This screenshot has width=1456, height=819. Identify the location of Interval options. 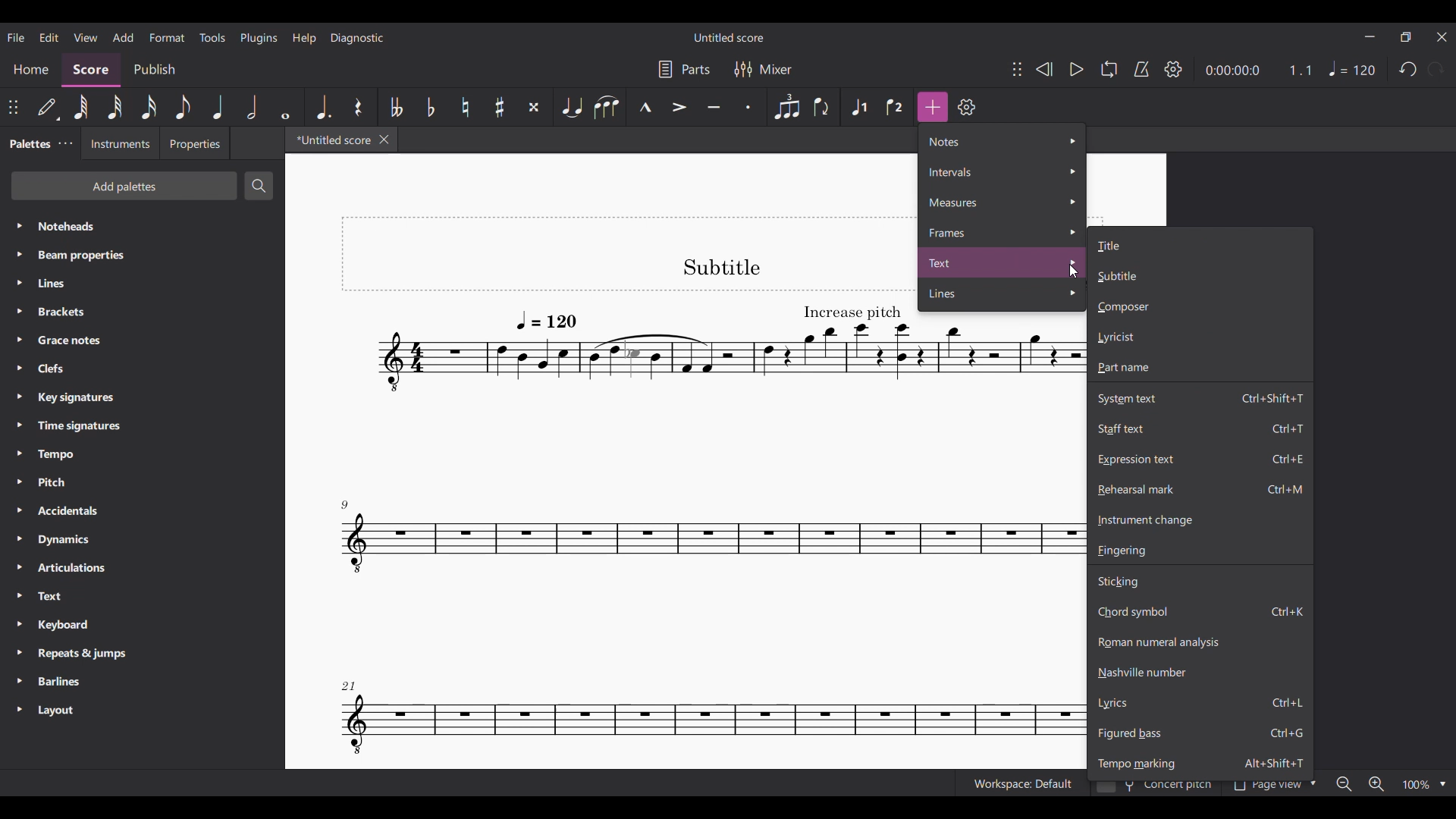
(1002, 172).